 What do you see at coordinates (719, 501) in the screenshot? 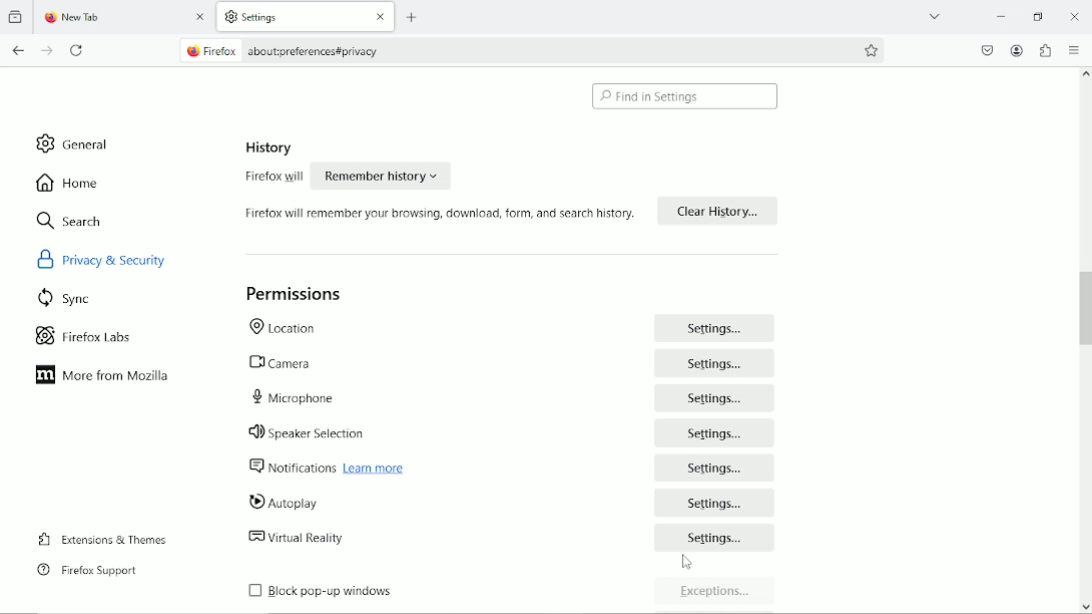
I see `settings` at bounding box center [719, 501].